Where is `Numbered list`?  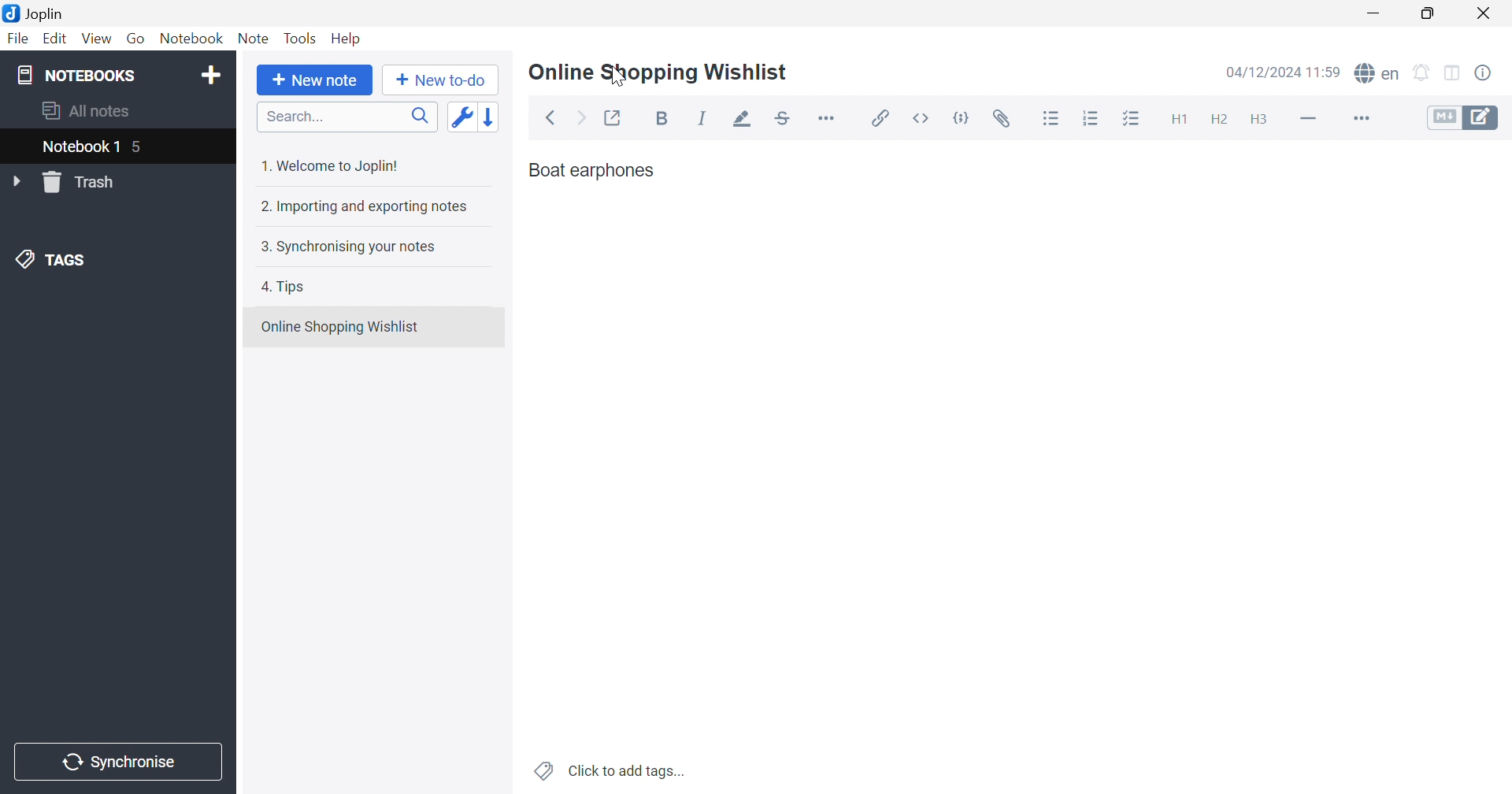
Numbered list is located at coordinates (1093, 120).